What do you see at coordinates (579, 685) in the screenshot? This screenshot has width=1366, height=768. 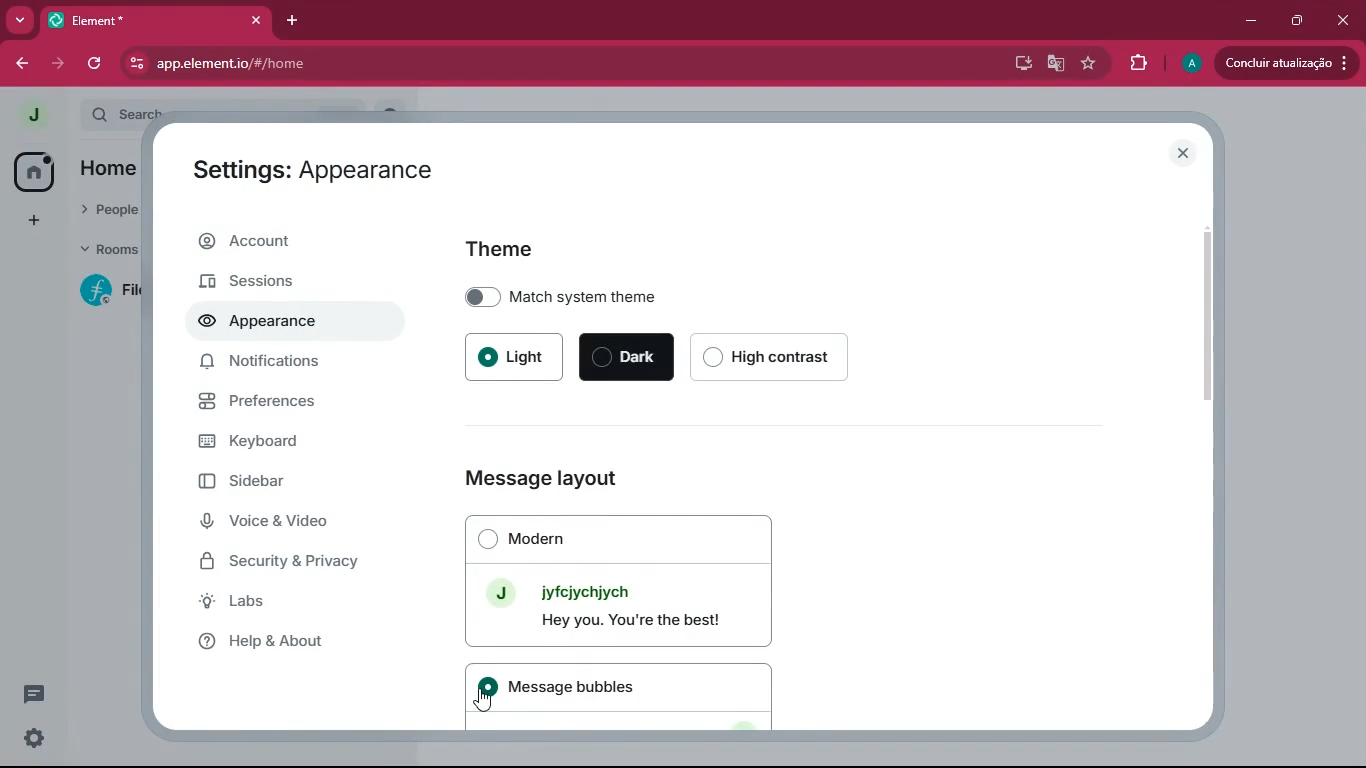 I see `Message bubbles` at bounding box center [579, 685].